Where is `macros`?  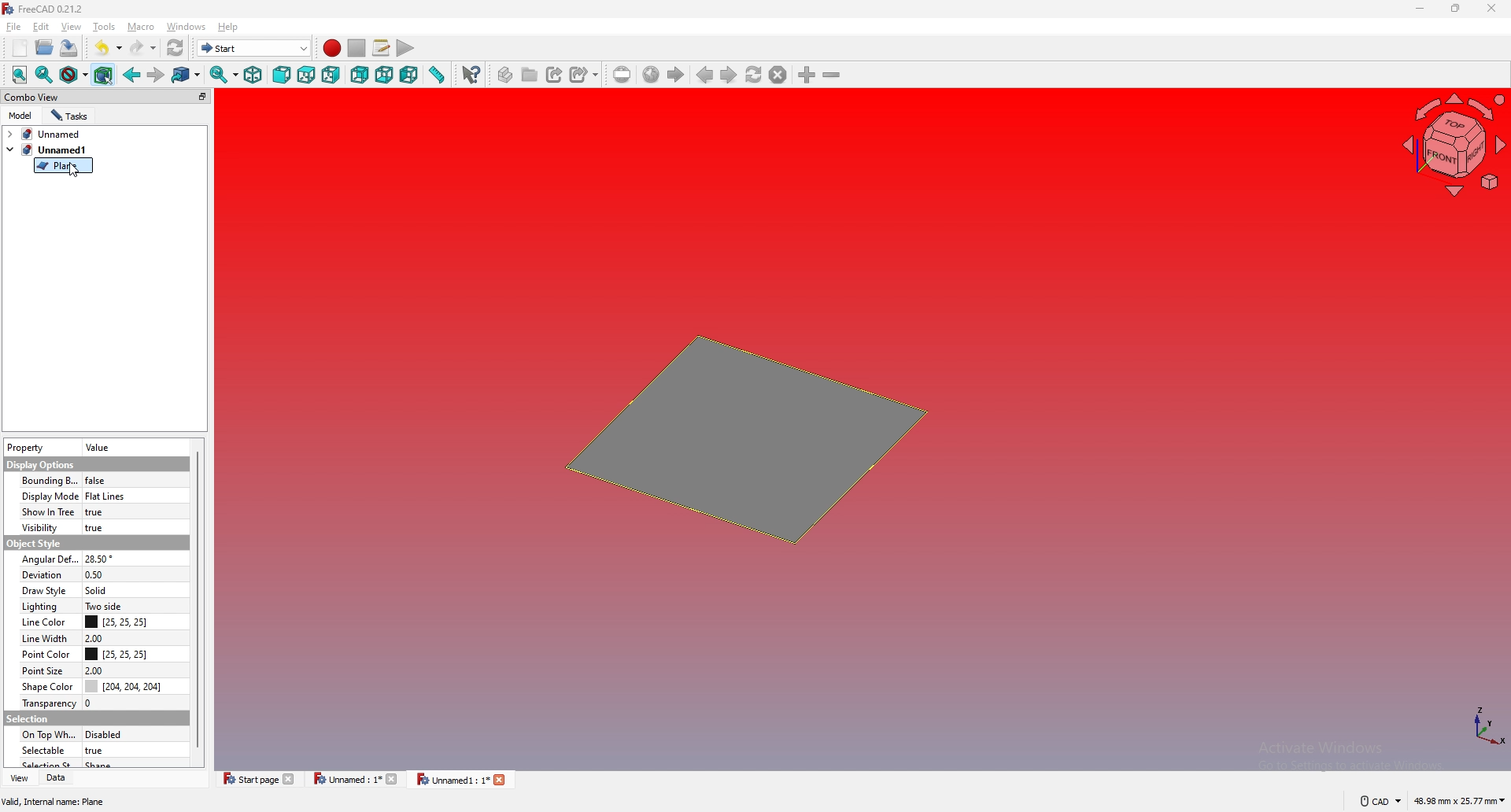
macros is located at coordinates (382, 47).